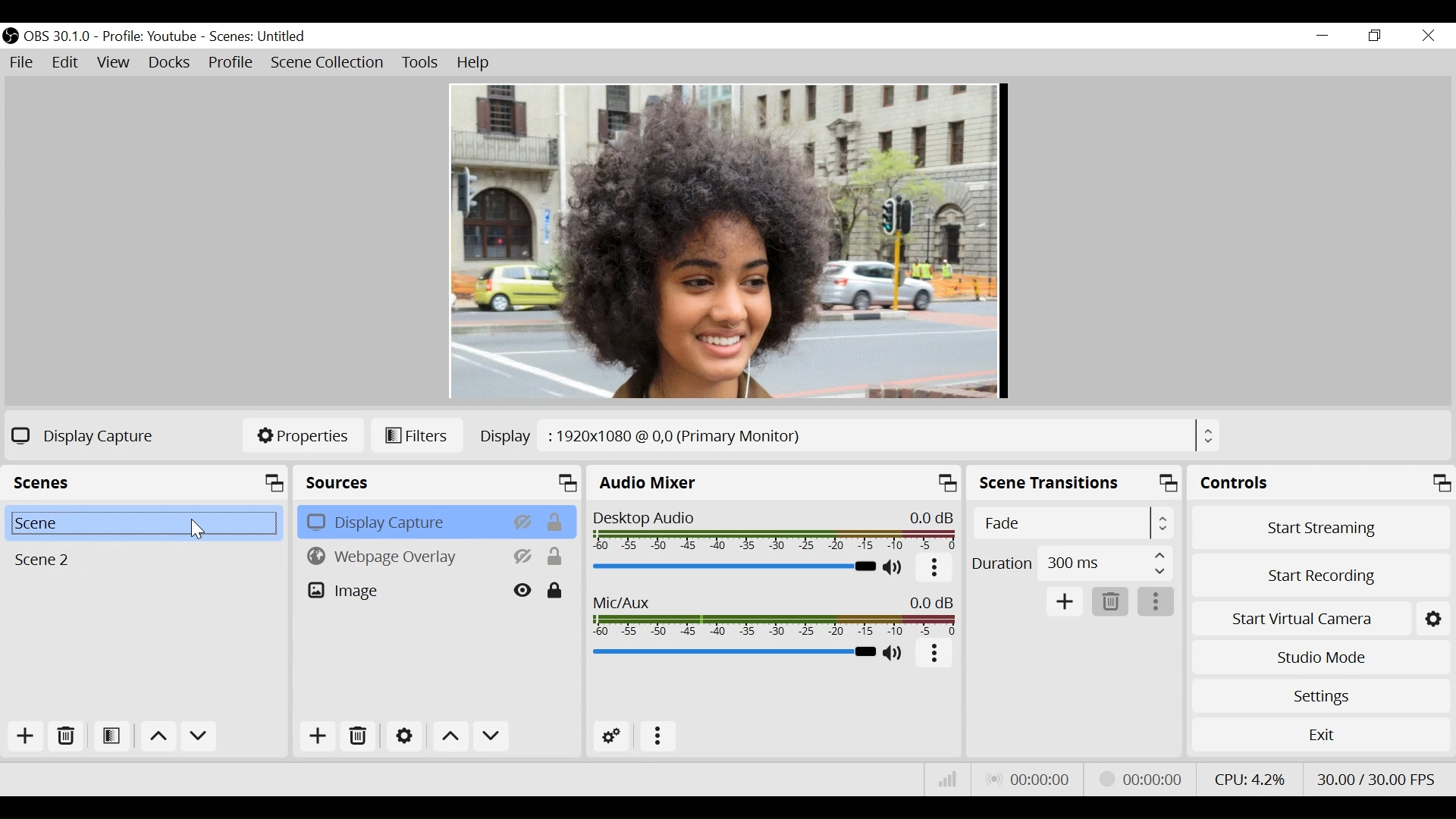 This screenshot has width=1456, height=819. What do you see at coordinates (1432, 619) in the screenshot?
I see `Settings` at bounding box center [1432, 619].